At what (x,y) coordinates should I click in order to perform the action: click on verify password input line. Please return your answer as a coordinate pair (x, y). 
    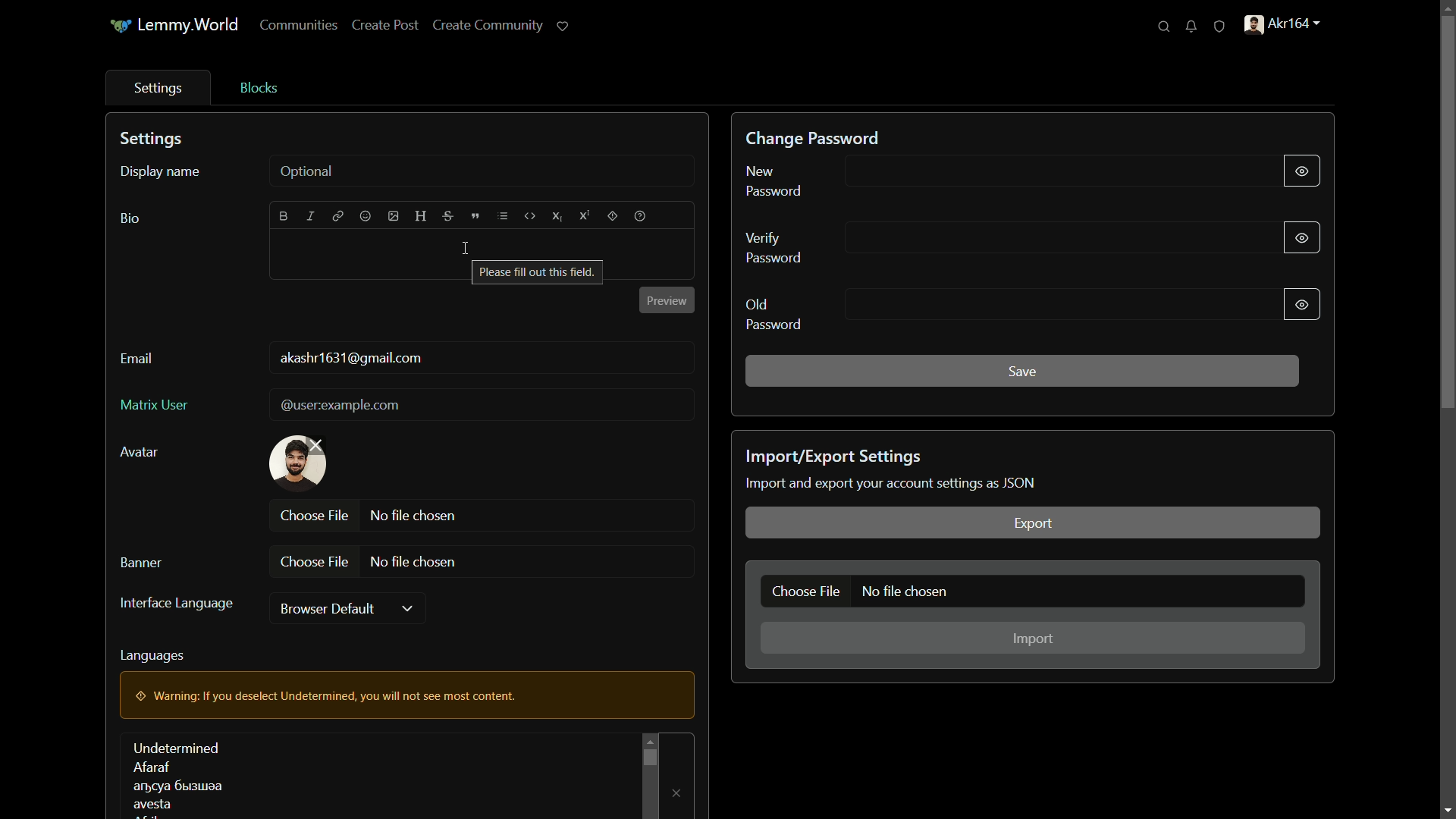
    Looking at the image, I should click on (1062, 238).